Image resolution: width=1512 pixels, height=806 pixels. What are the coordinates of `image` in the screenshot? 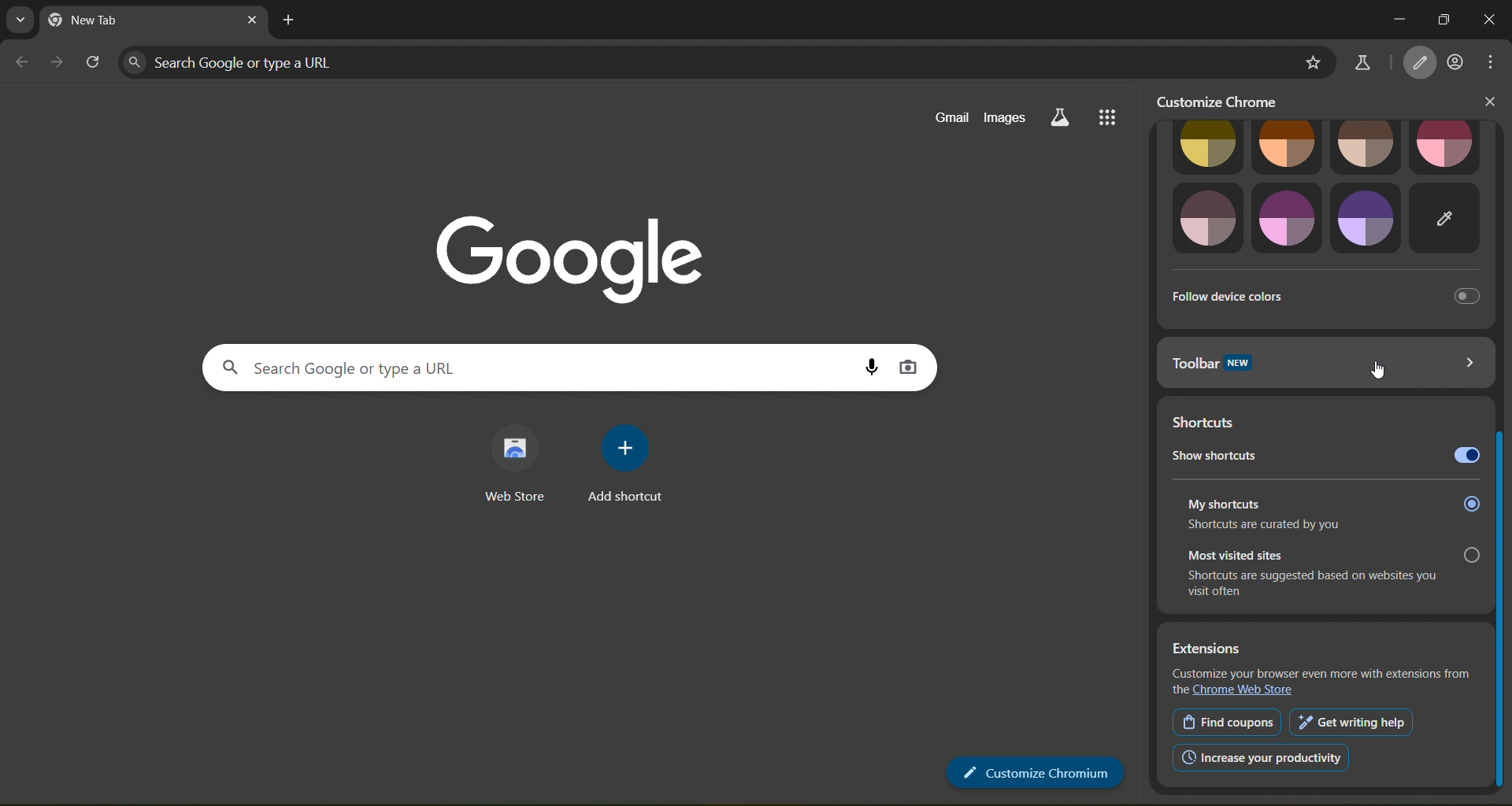 It's located at (1443, 219).